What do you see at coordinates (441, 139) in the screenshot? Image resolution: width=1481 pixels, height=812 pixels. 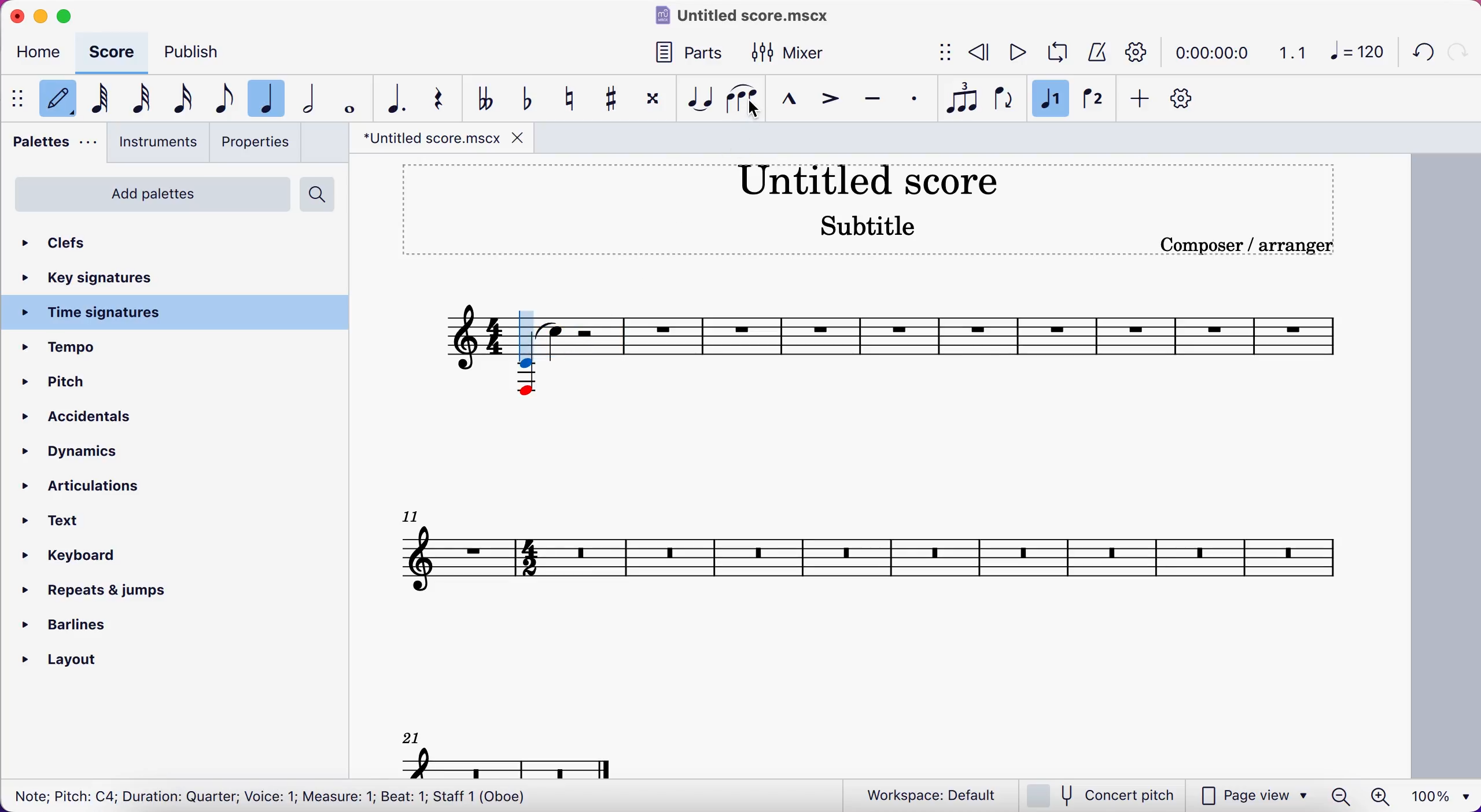 I see `*untitled score.mscx` at bounding box center [441, 139].